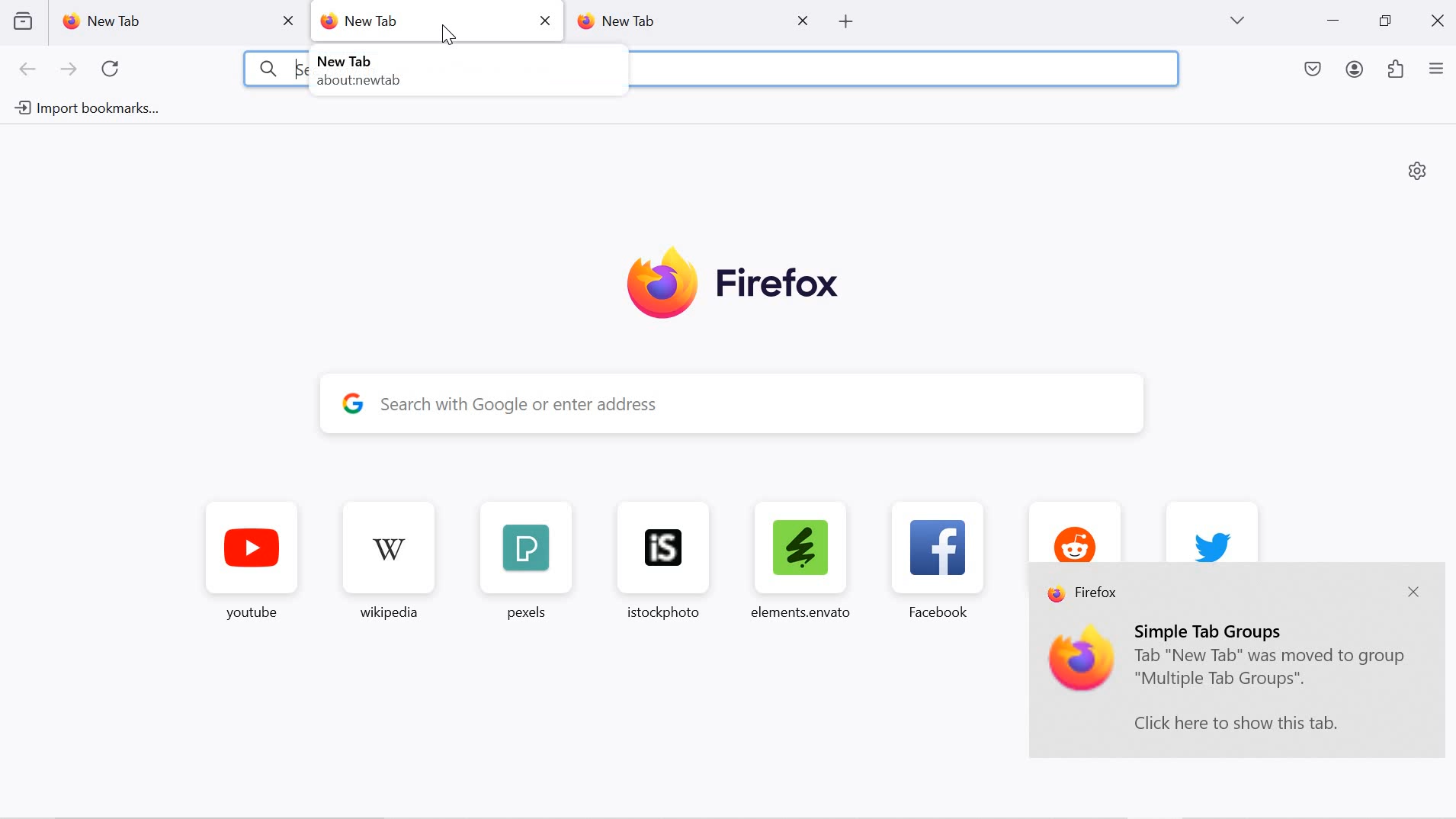 The height and width of the screenshot is (819, 1456). I want to click on list all tabs, so click(1236, 21).